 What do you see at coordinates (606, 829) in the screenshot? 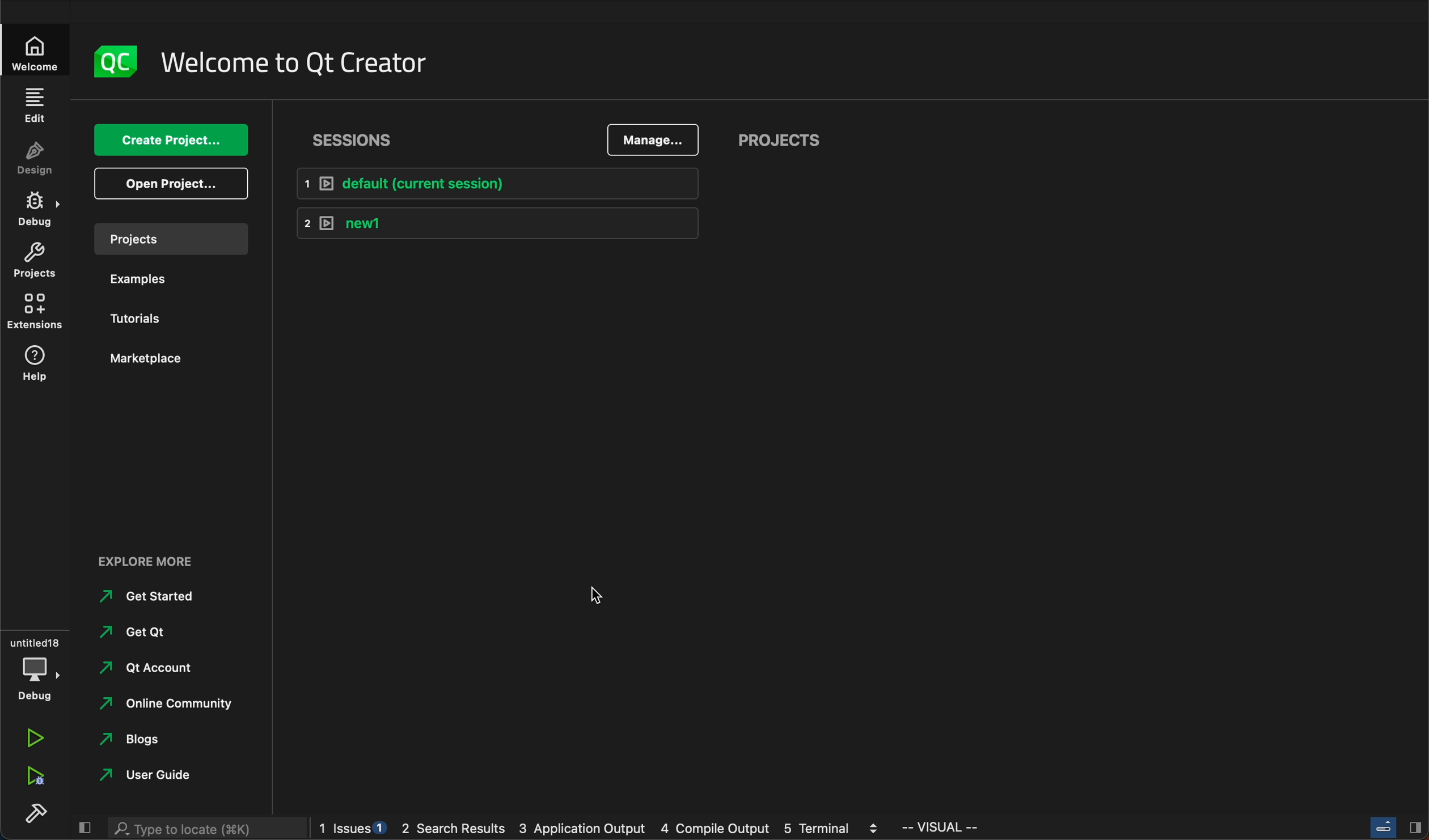
I see `logs` at bounding box center [606, 829].